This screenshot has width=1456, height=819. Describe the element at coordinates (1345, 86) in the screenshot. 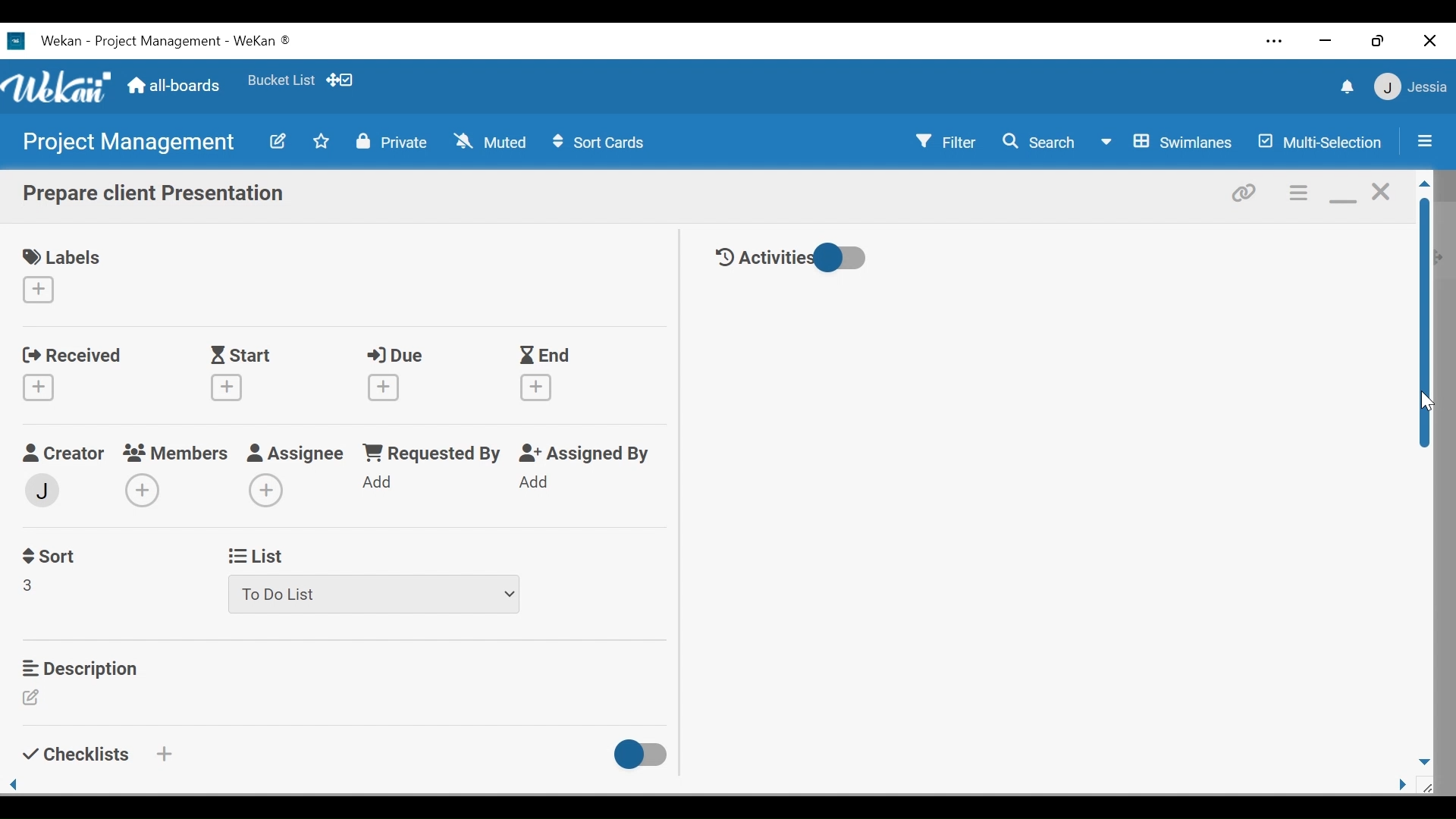

I see `notifications` at that location.